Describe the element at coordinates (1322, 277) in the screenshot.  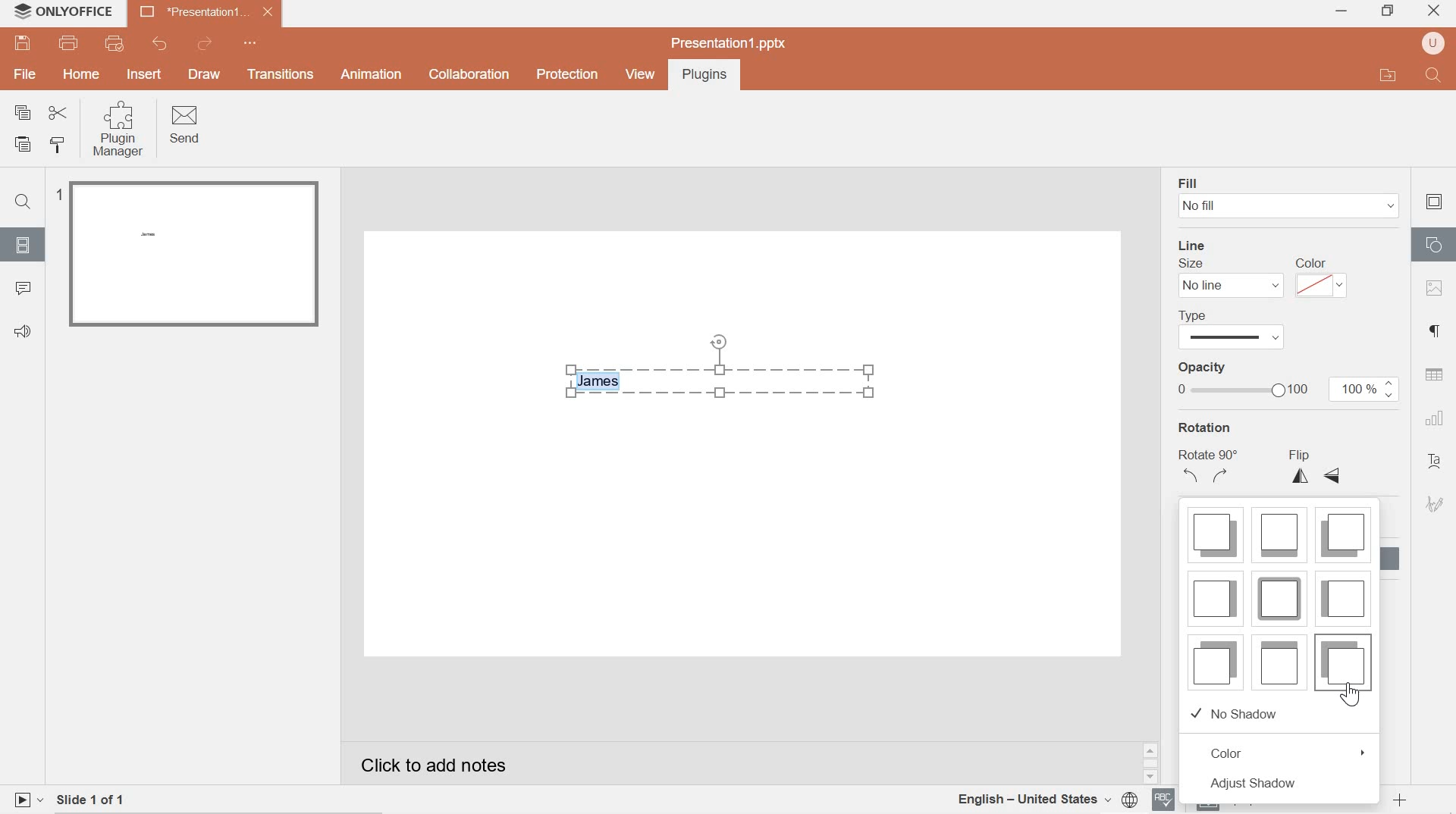
I see `color` at that location.